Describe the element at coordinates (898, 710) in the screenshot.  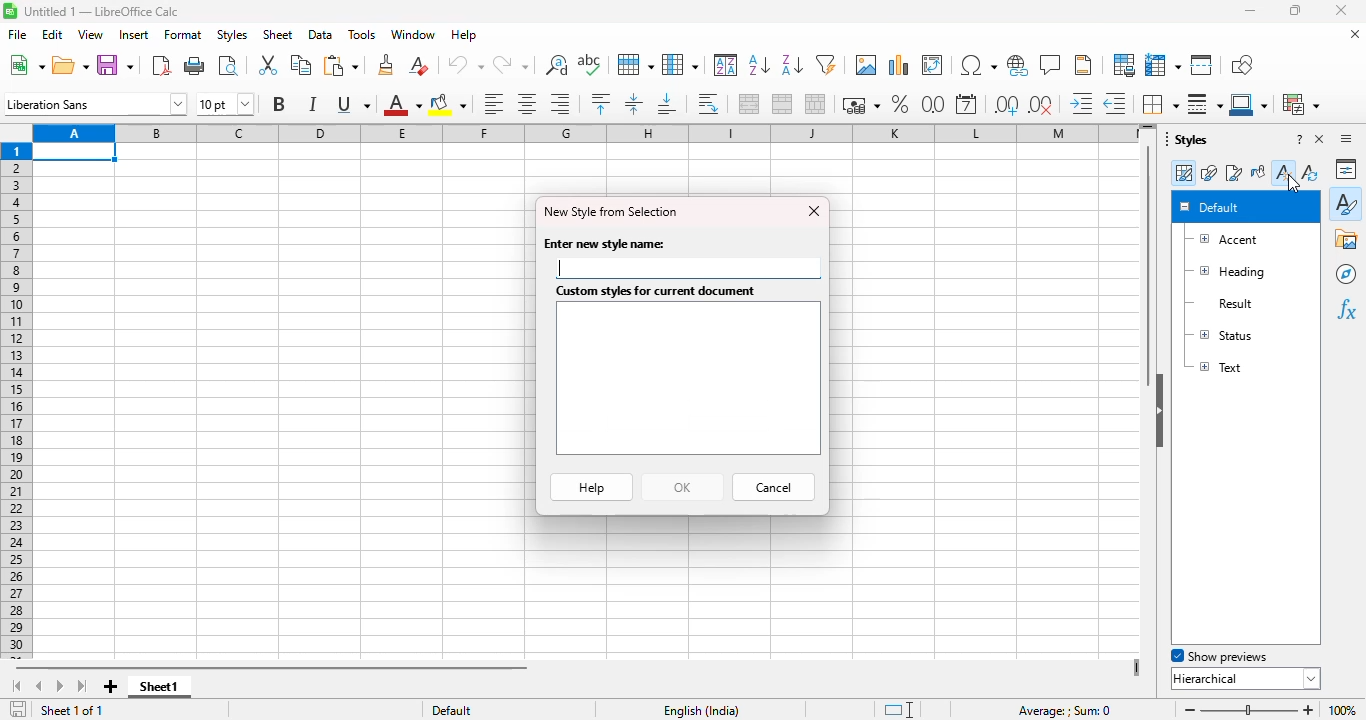
I see `standard selection` at that location.